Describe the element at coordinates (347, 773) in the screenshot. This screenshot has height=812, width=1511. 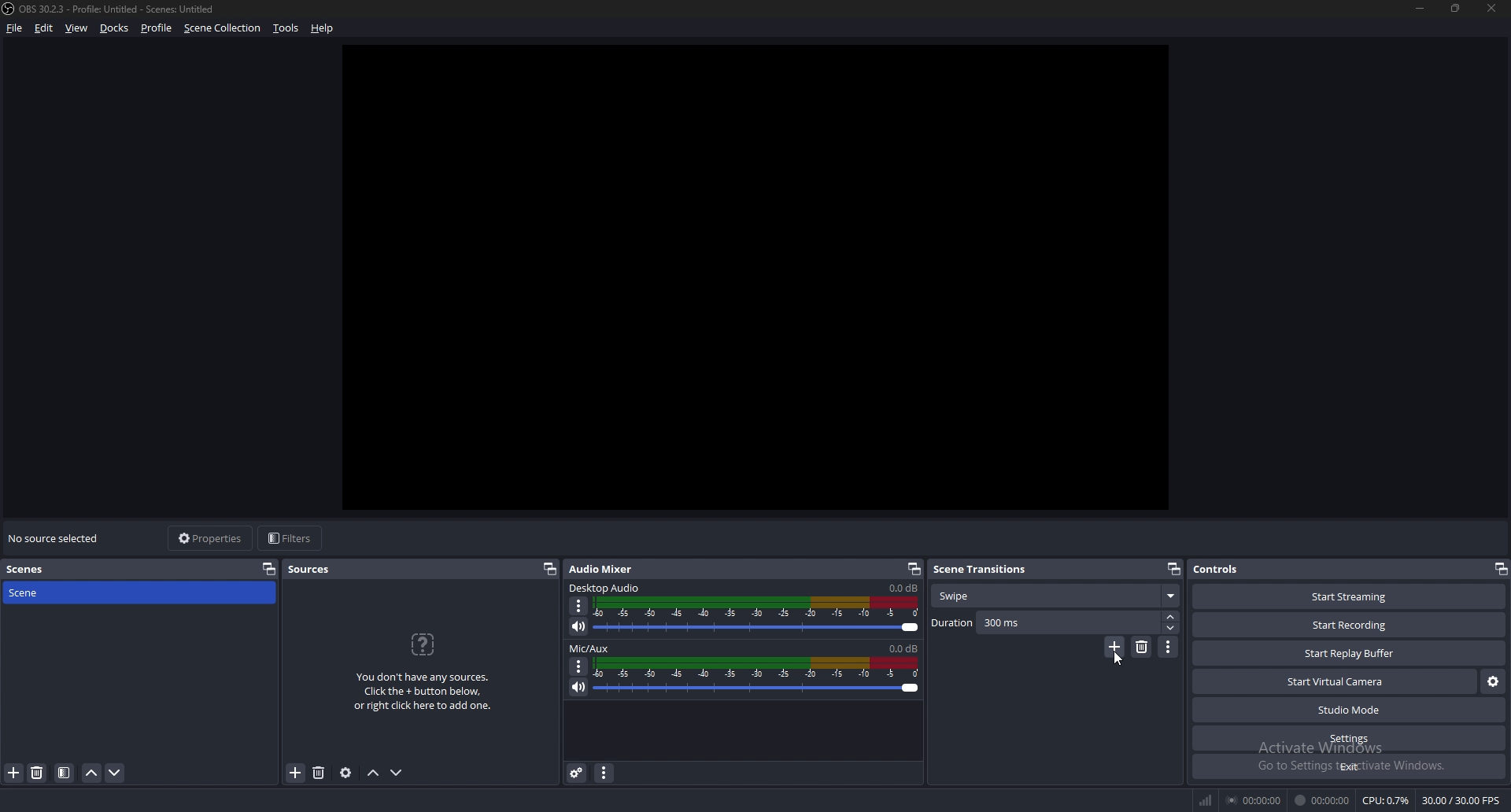
I see `source properties settings` at that location.